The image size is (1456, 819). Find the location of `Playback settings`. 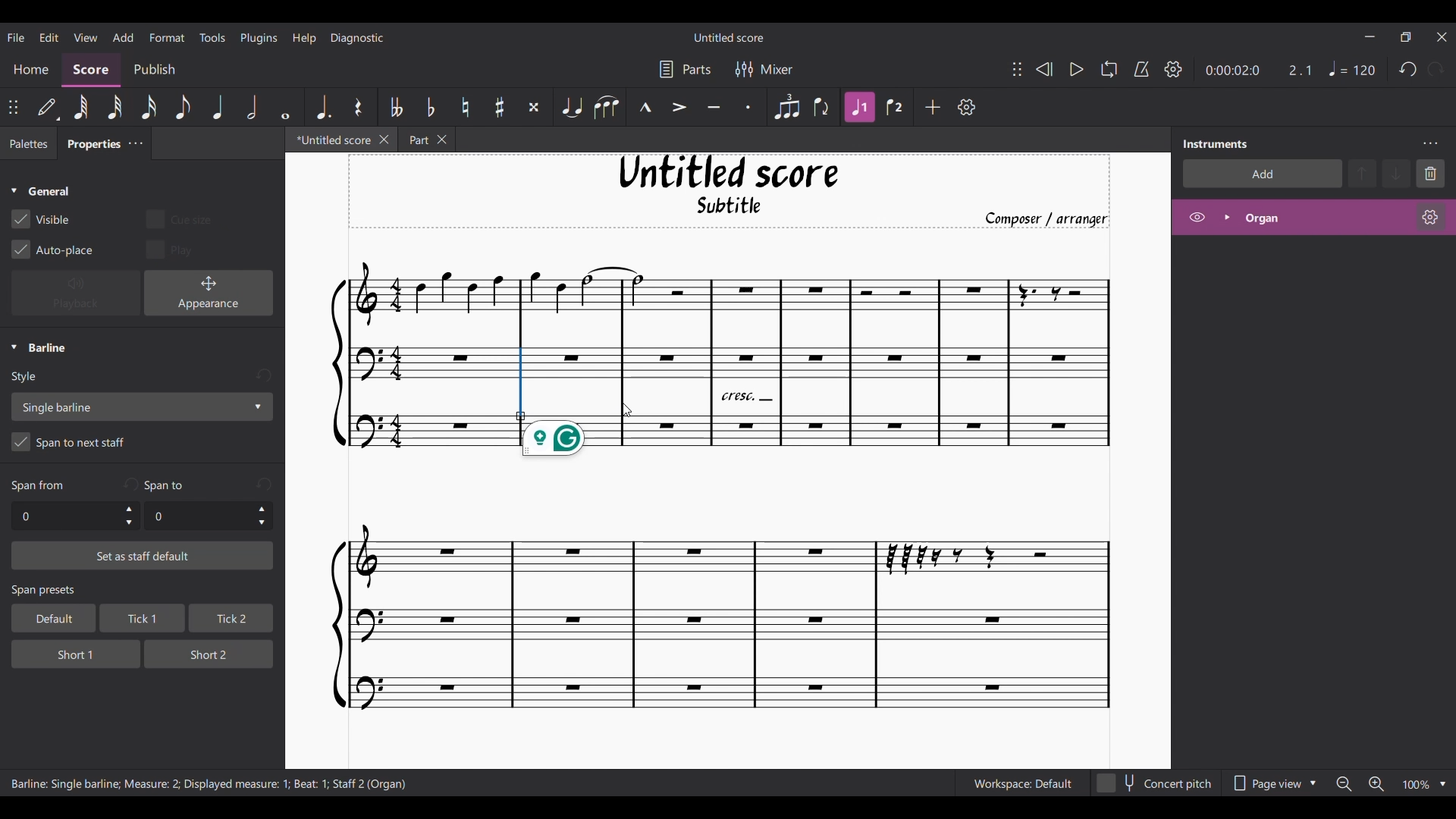

Playback settings is located at coordinates (1173, 69).